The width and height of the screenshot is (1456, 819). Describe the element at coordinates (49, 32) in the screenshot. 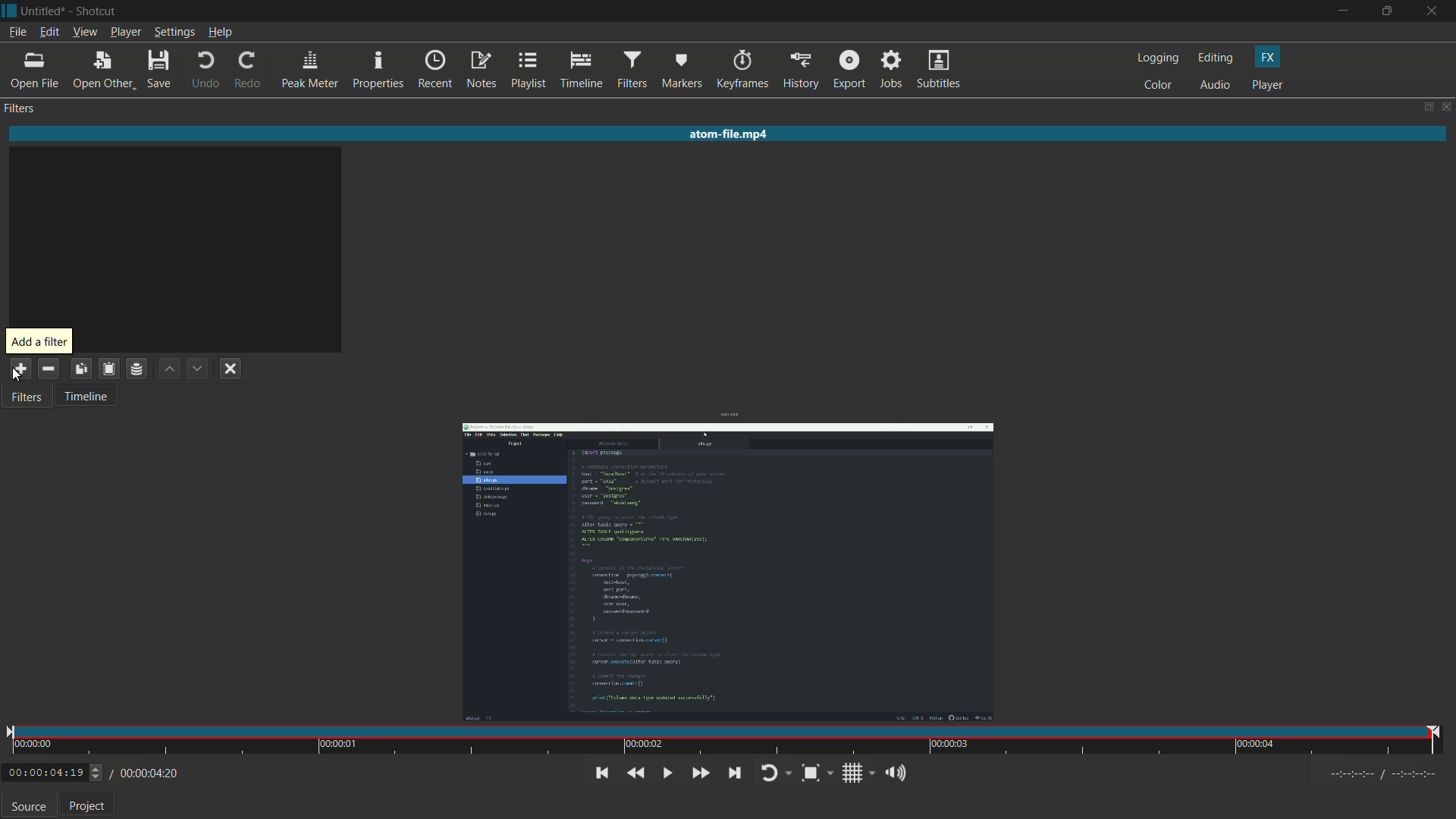

I see `edit menu` at that location.